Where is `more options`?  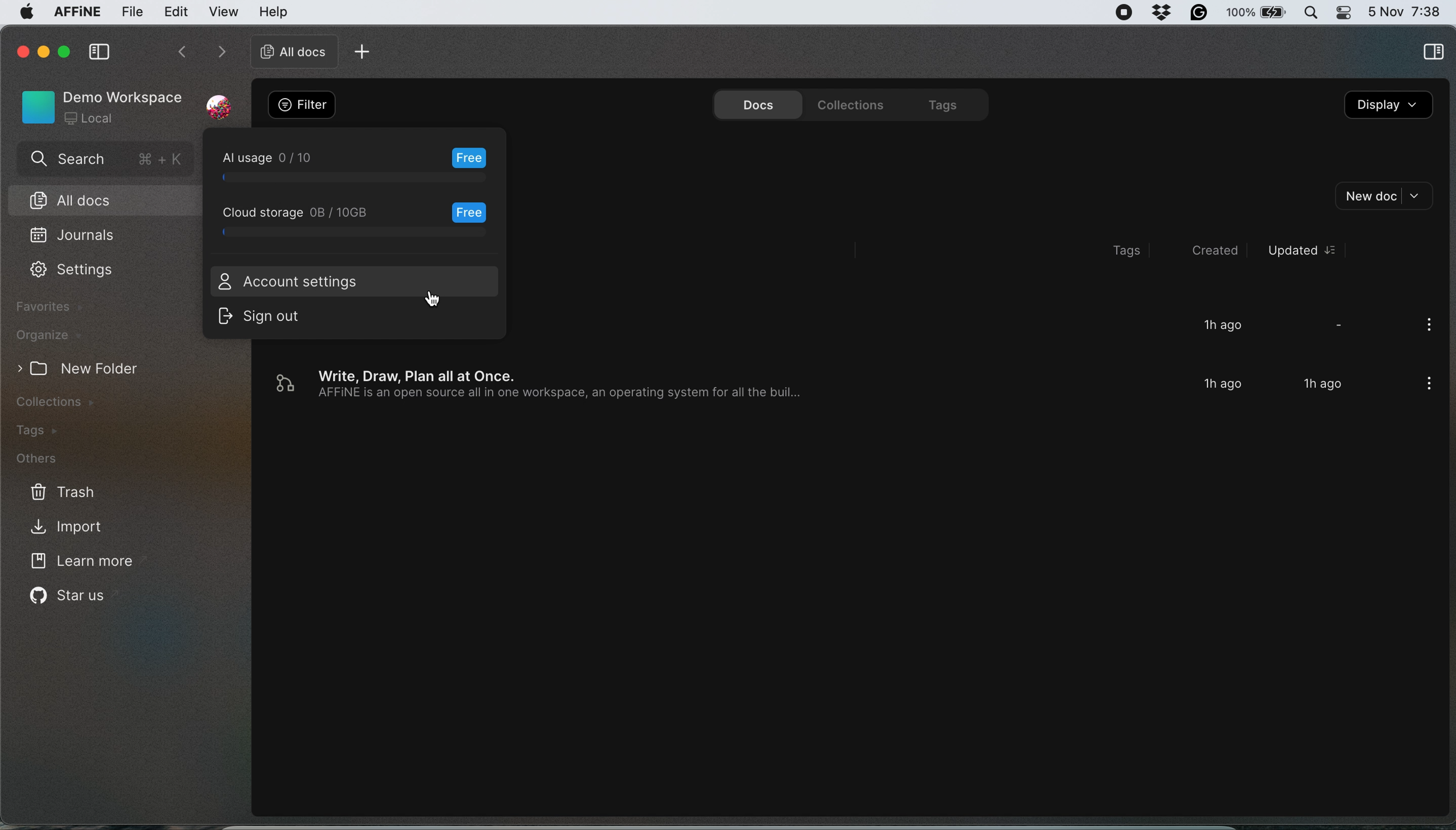 more options is located at coordinates (1425, 327).